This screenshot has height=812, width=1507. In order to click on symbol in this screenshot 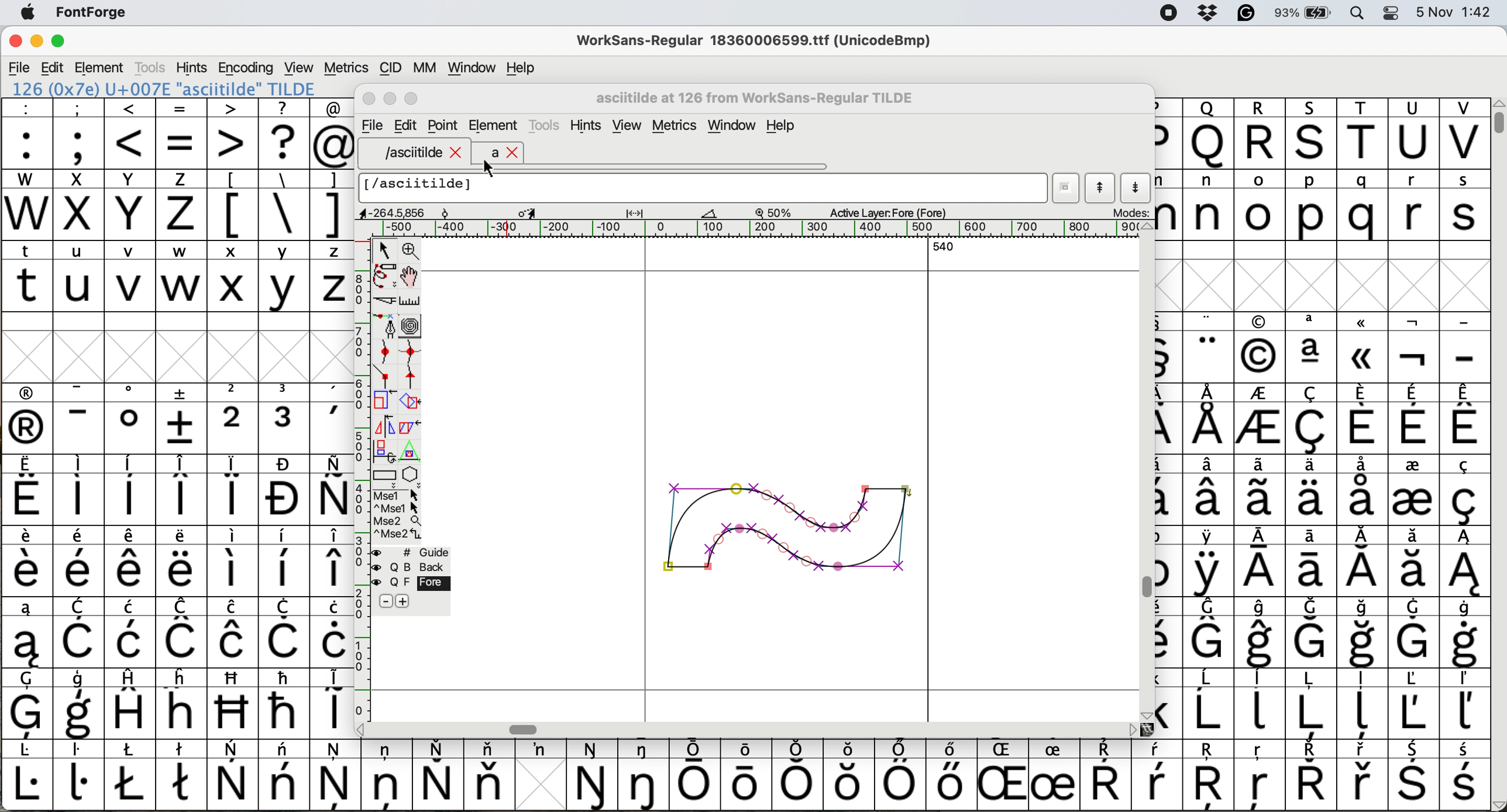, I will do `click(28, 704)`.